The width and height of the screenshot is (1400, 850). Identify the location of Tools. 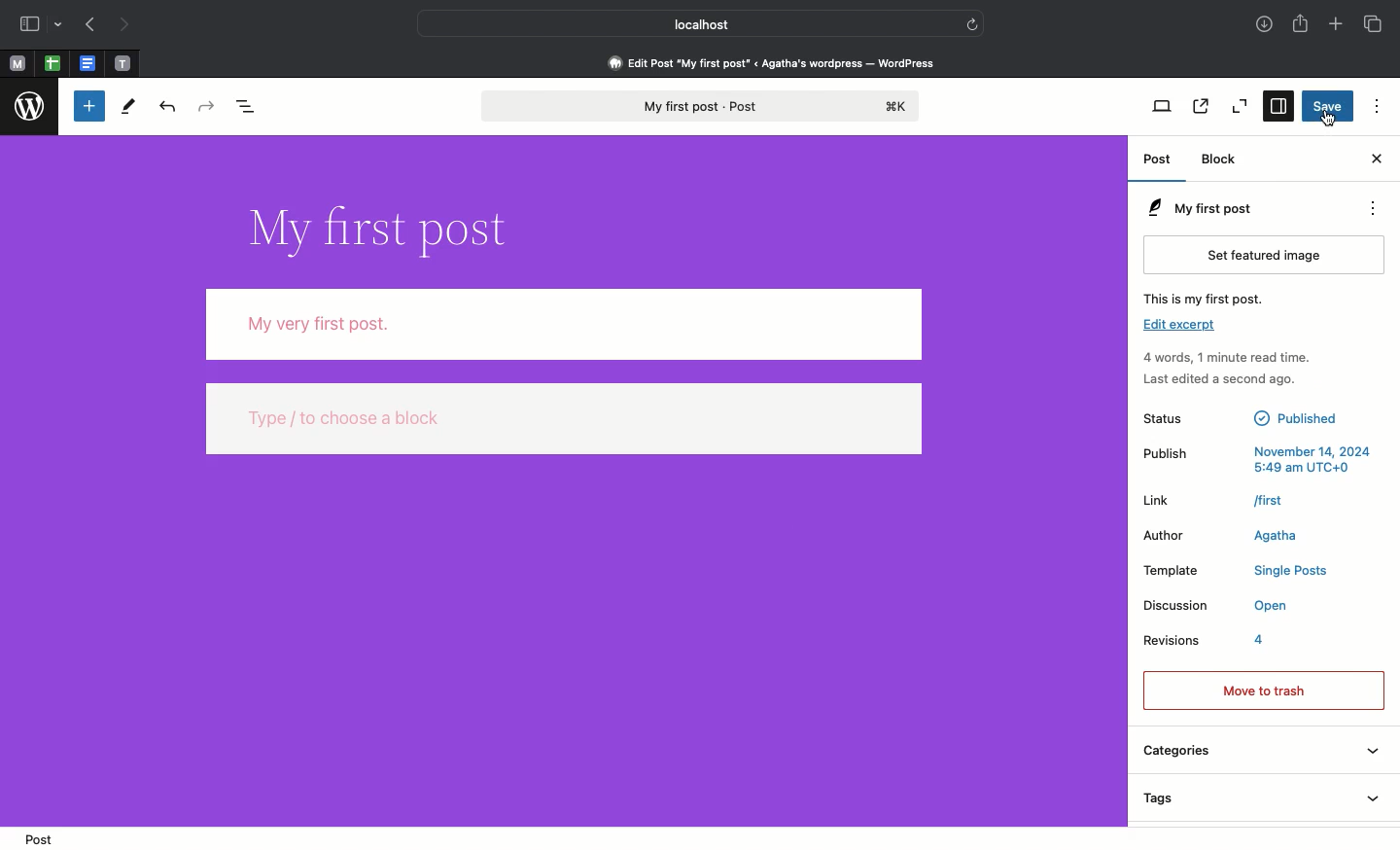
(129, 106).